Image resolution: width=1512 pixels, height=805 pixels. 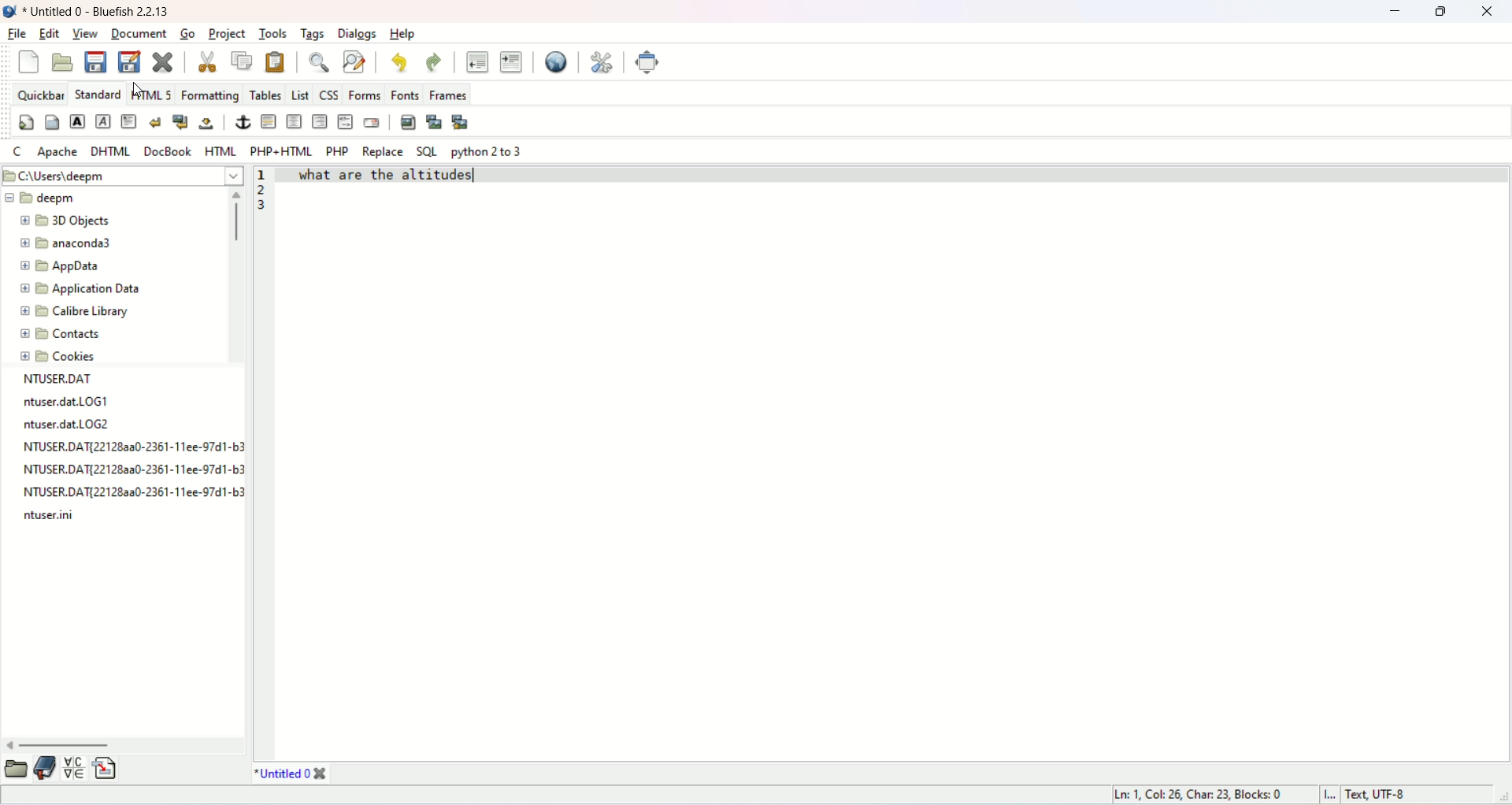 I want to click on forms, so click(x=365, y=95).